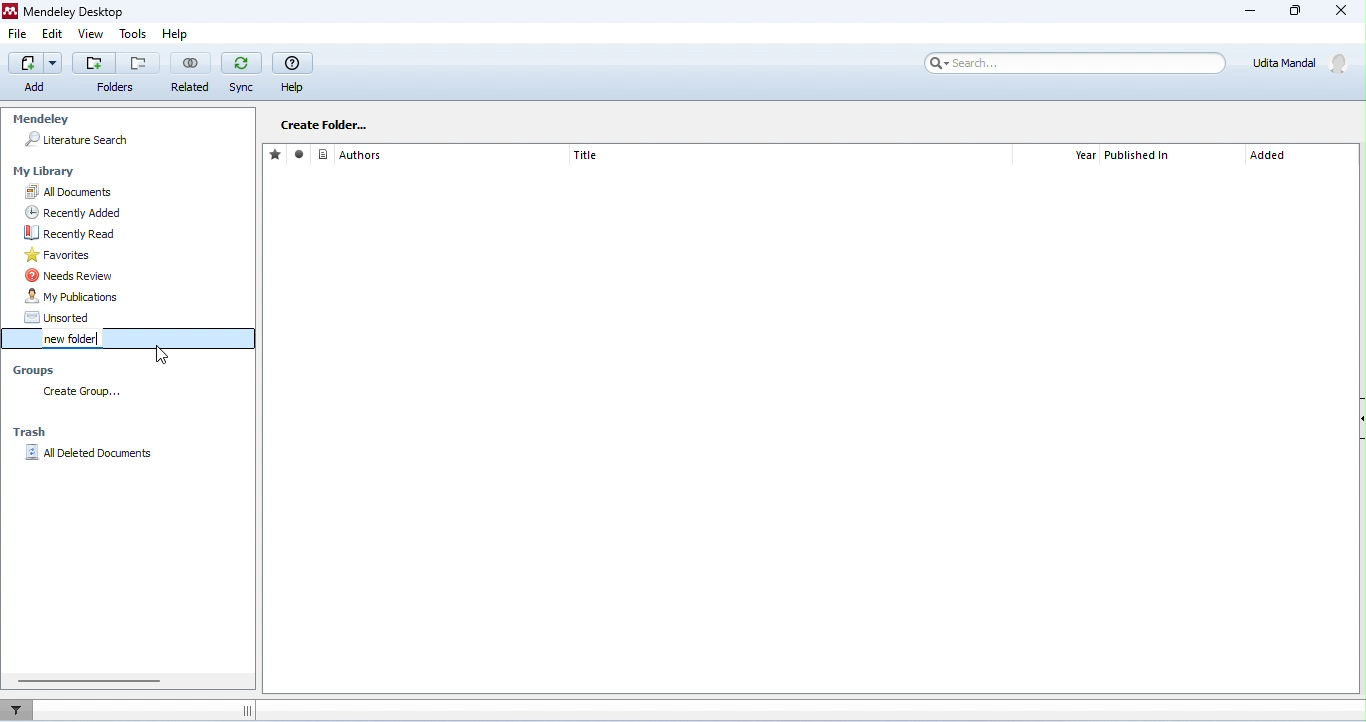 The image size is (1366, 722). I want to click on minimize, so click(1252, 13).